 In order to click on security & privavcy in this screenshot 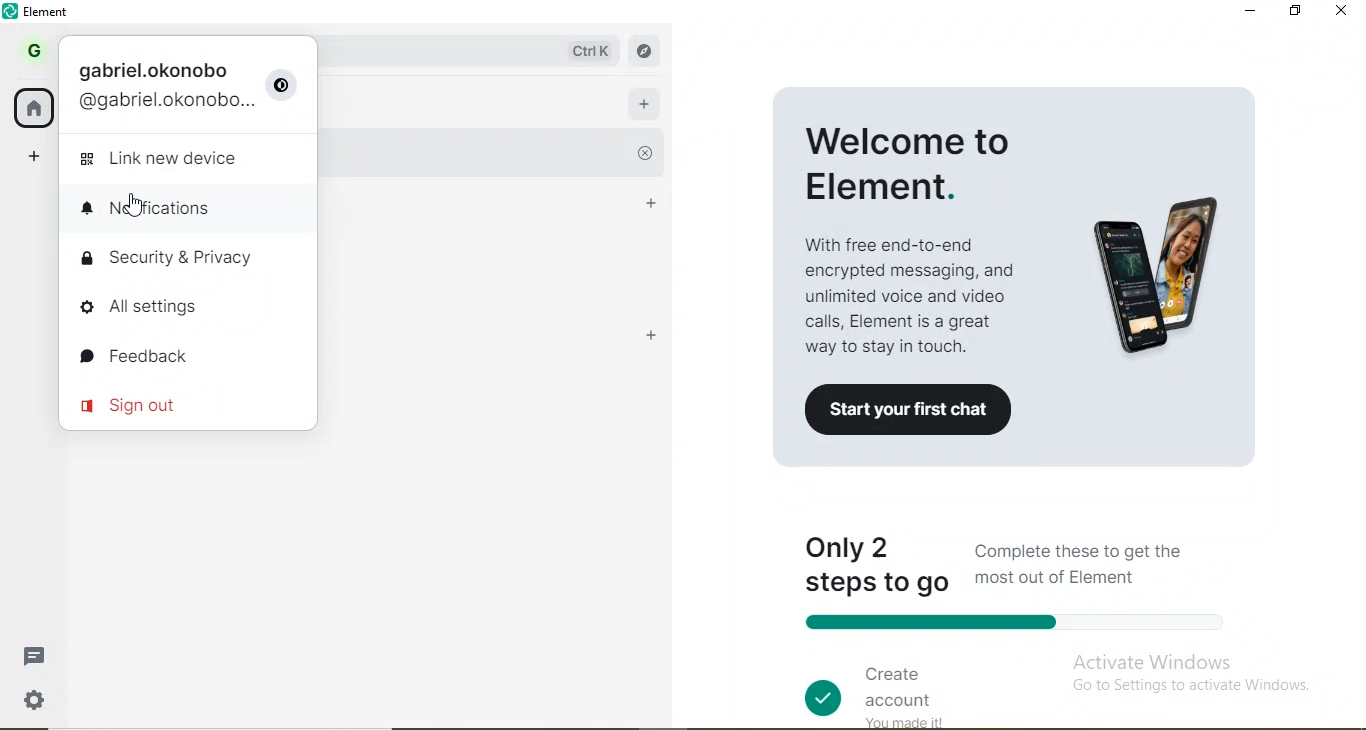, I will do `click(185, 259)`.